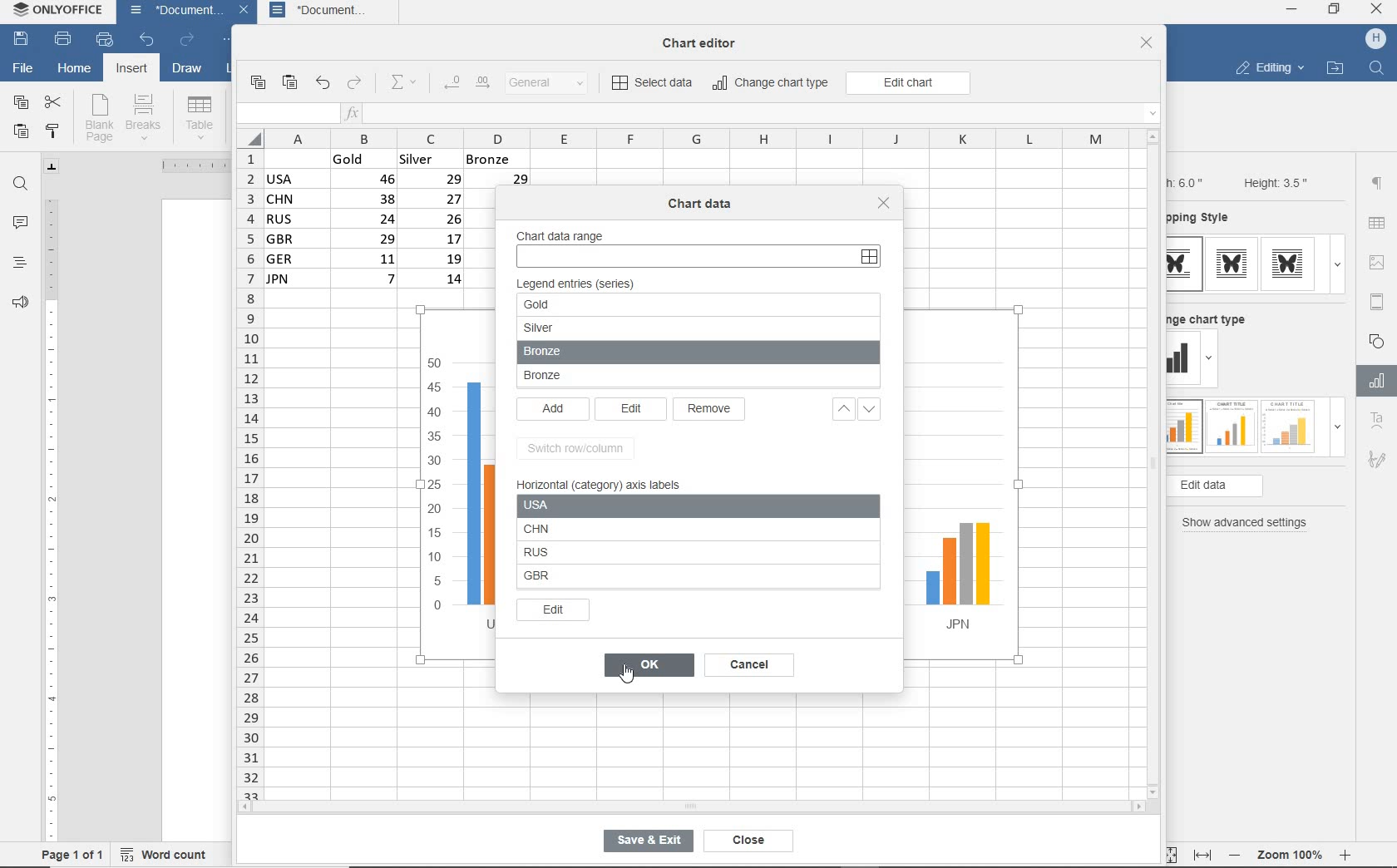 Image resolution: width=1397 pixels, height=868 pixels. What do you see at coordinates (187, 165) in the screenshot?
I see `ruler` at bounding box center [187, 165].